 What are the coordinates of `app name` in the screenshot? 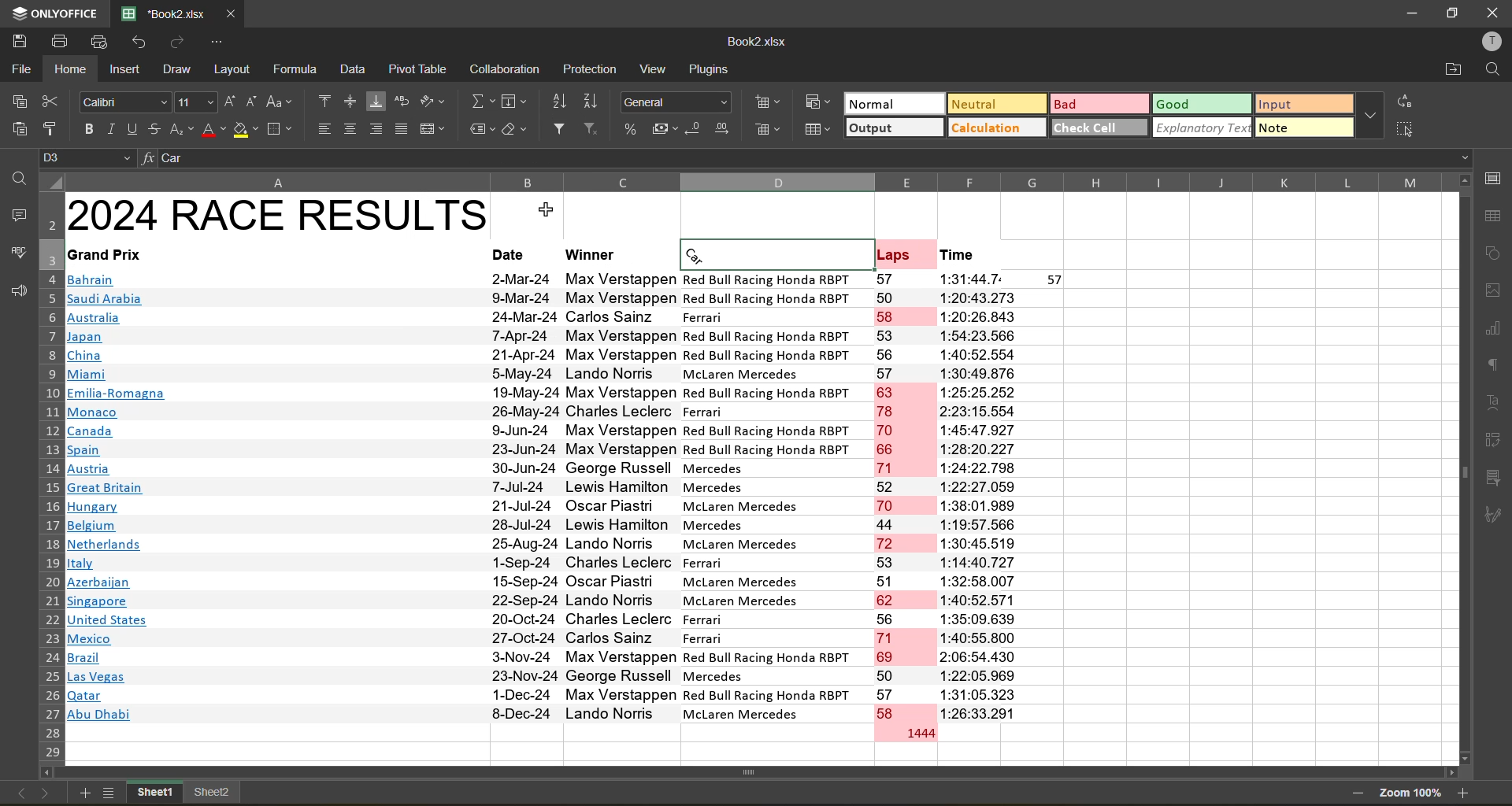 It's located at (57, 13).